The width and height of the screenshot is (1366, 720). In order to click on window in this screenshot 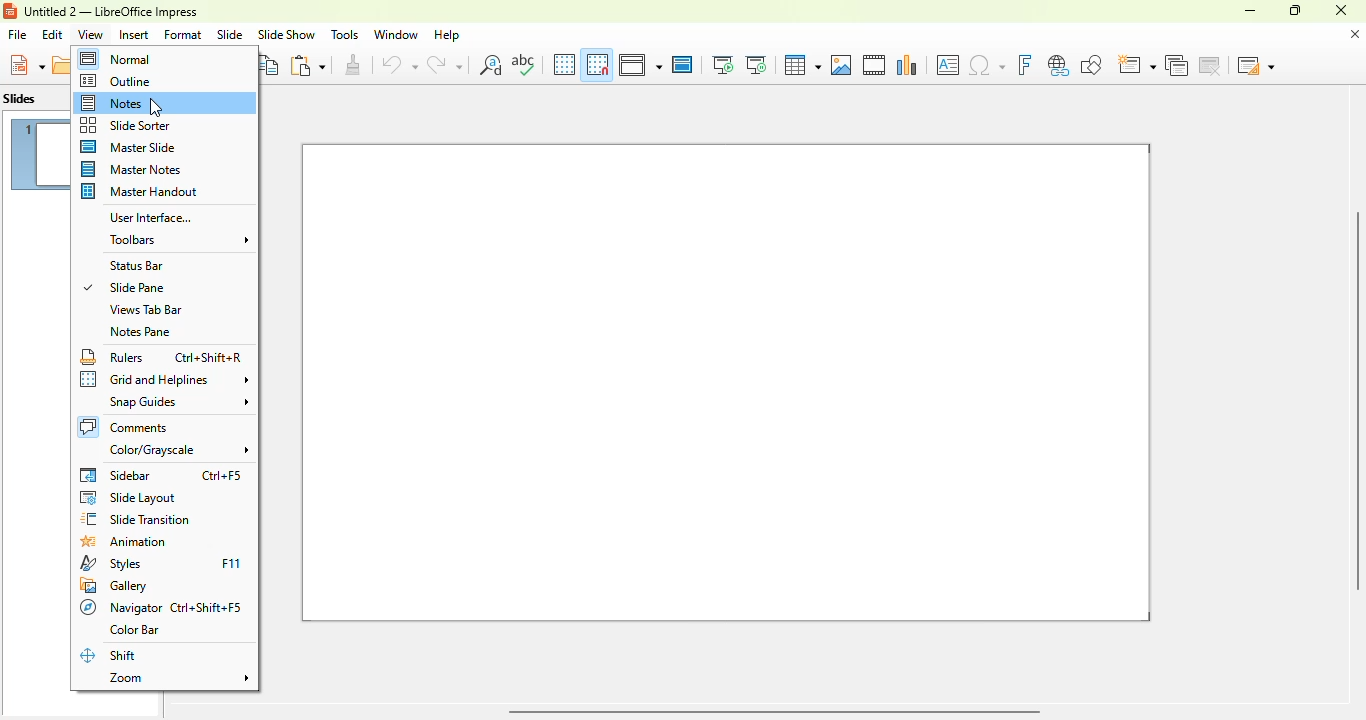, I will do `click(395, 35)`.